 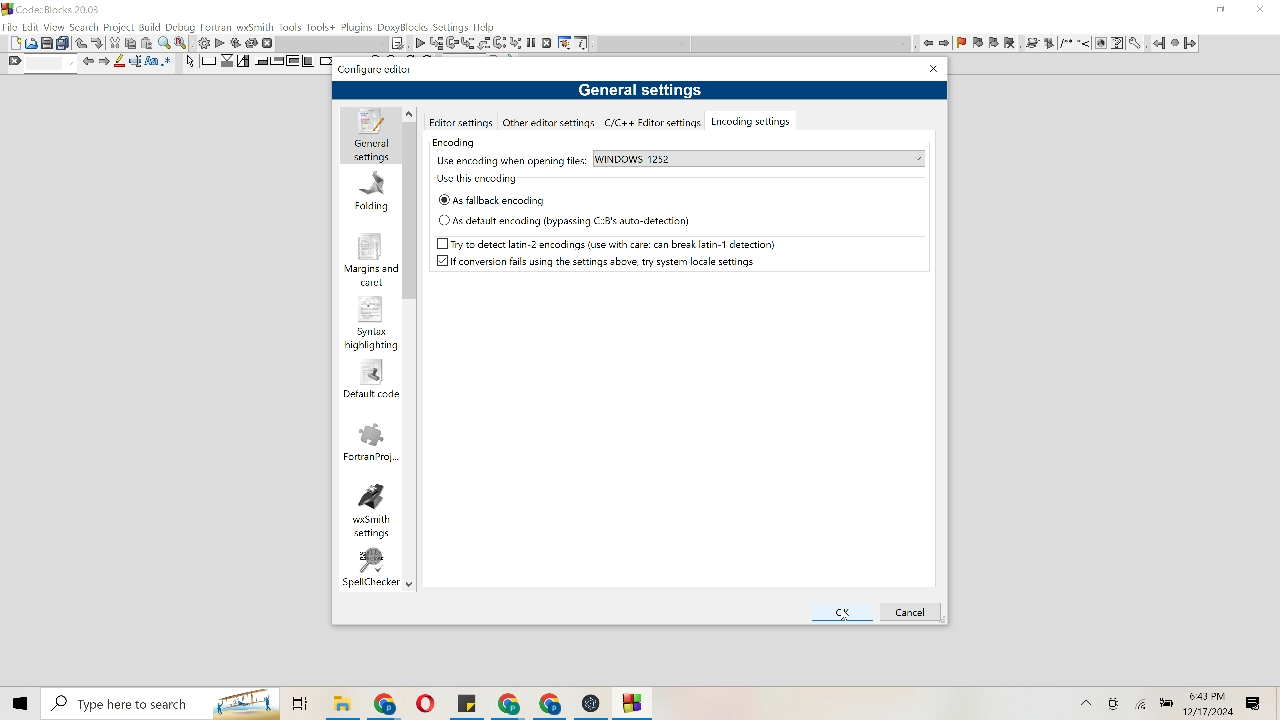 What do you see at coordinates (386, 703) in the screenshot?
I see `File` at bounding box center [386, 703].